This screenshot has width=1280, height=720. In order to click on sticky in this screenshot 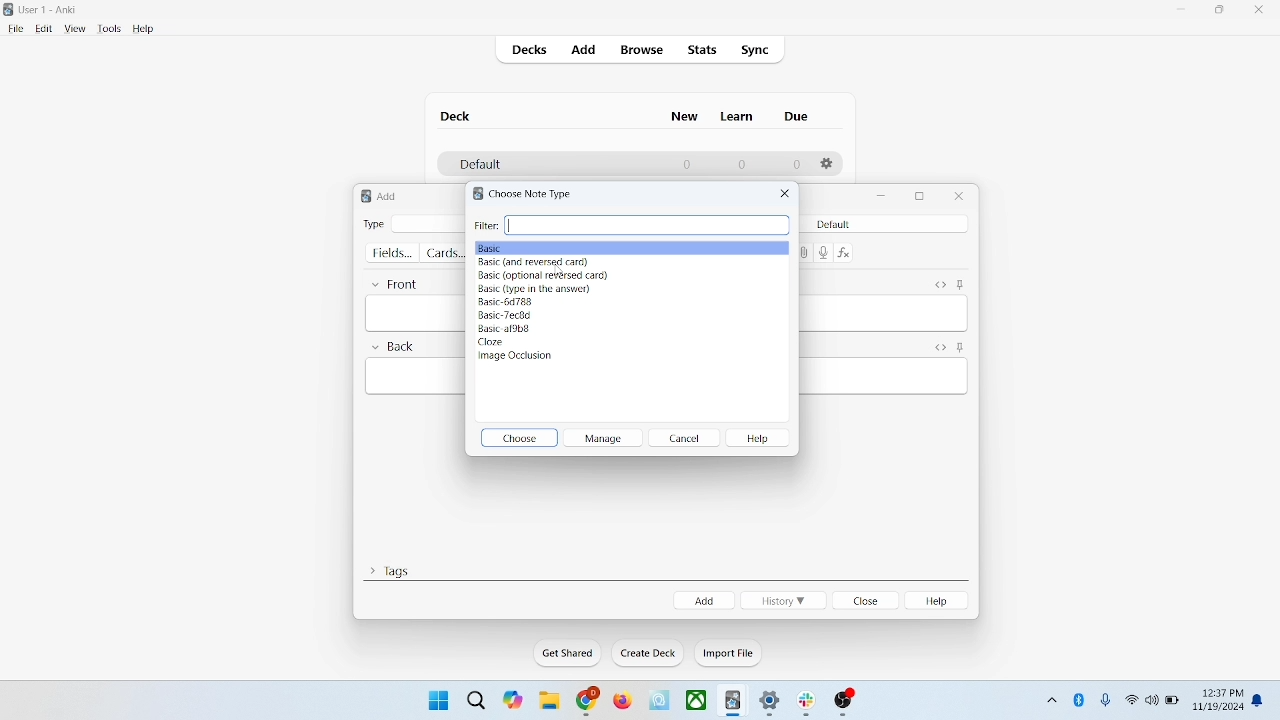, I will do `click(960, 348)`.